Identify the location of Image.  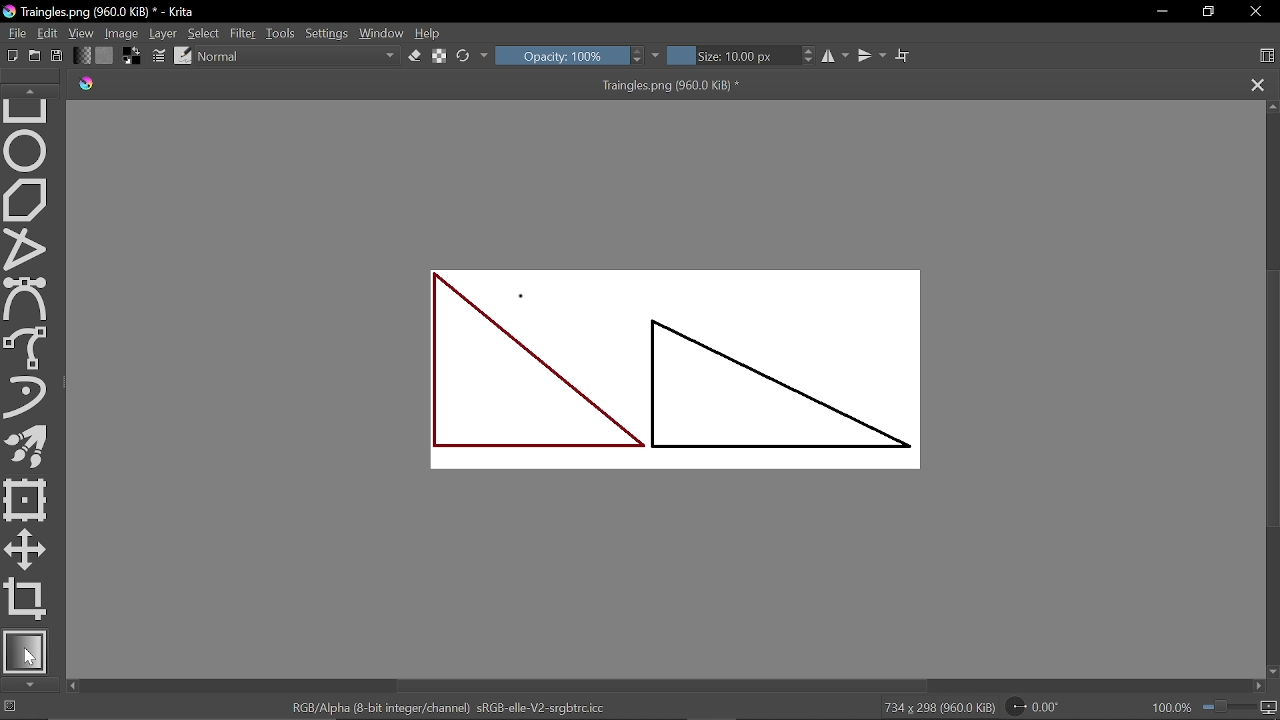
(121, 33).